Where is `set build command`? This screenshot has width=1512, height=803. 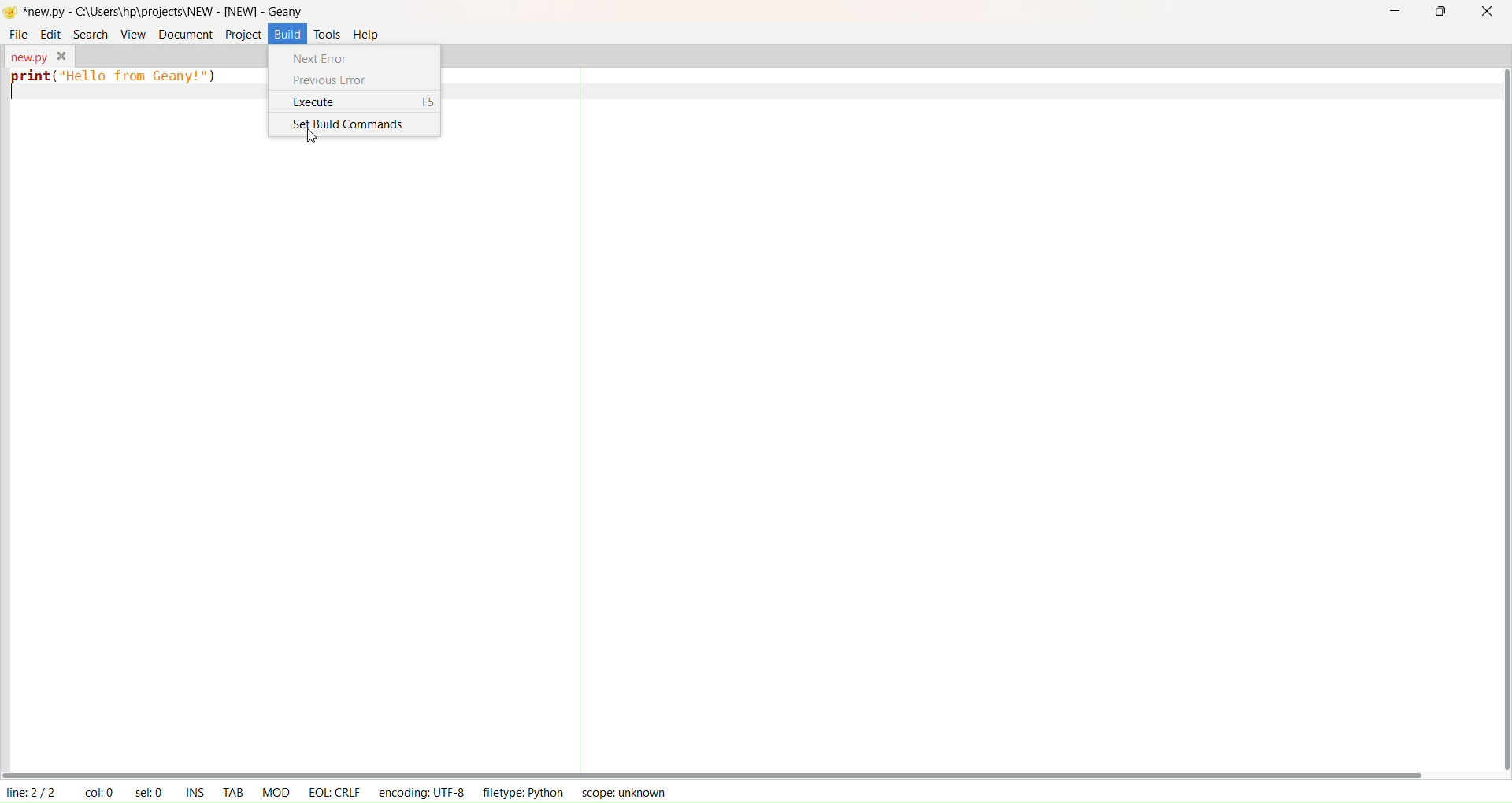
set build command is located at coordinates (348, 125).